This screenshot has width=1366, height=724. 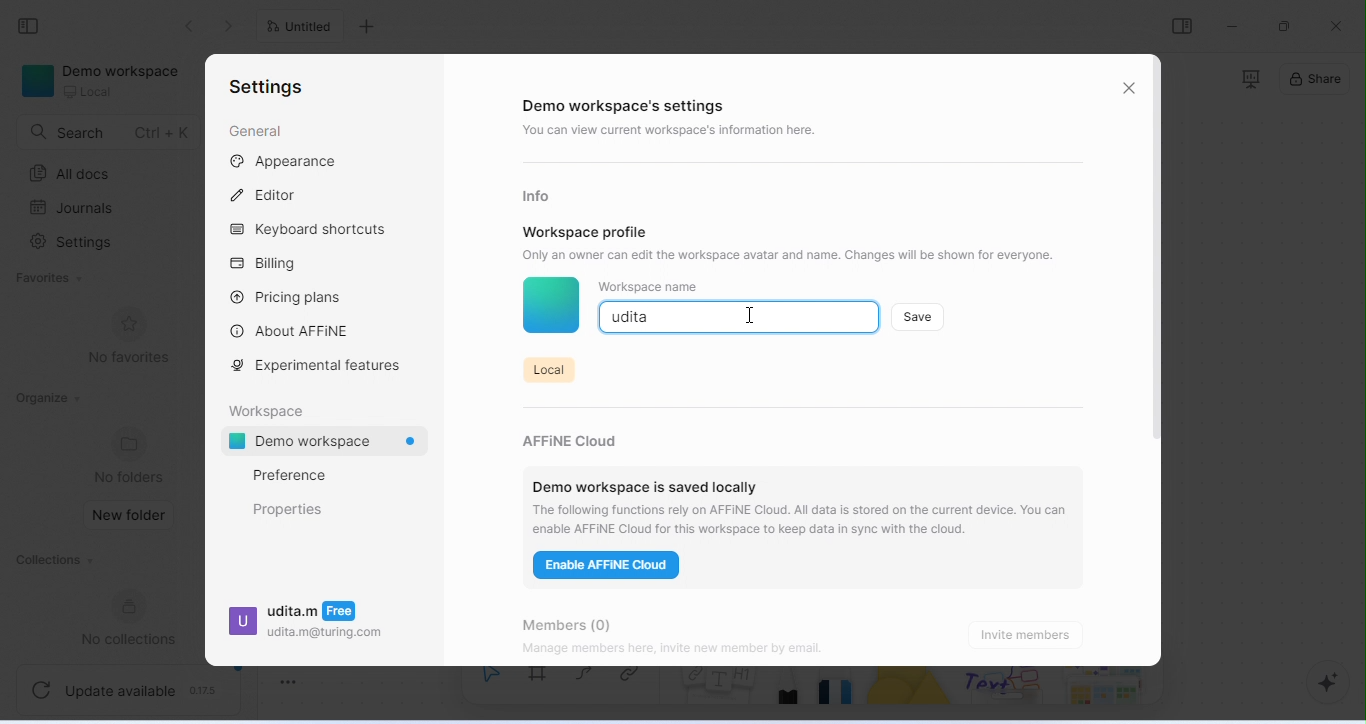 What do you see at coordinates (637, 683) in the screenshot?
I see `link` at bounding box center [637, 683].